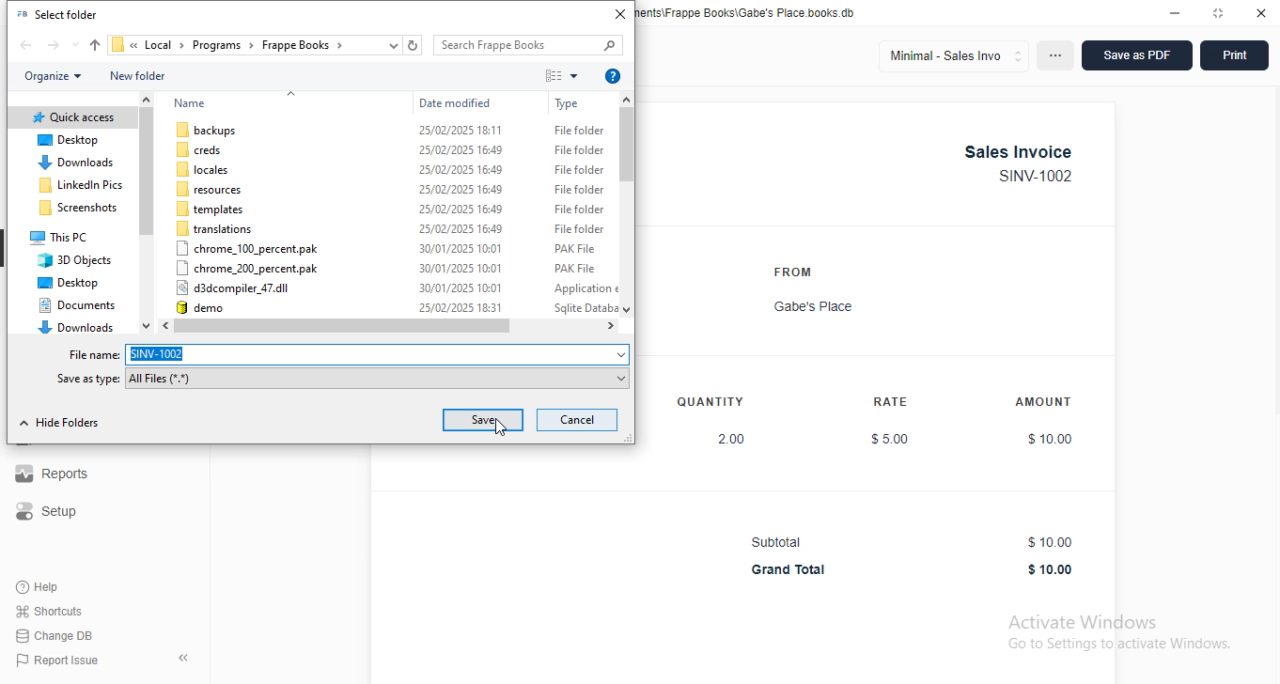 The image size is (1280, 684). What do you see at coordinates (460, 307) in the screenshot?
I see `25/02/2025 18:31` at bounding box center [460, 307].